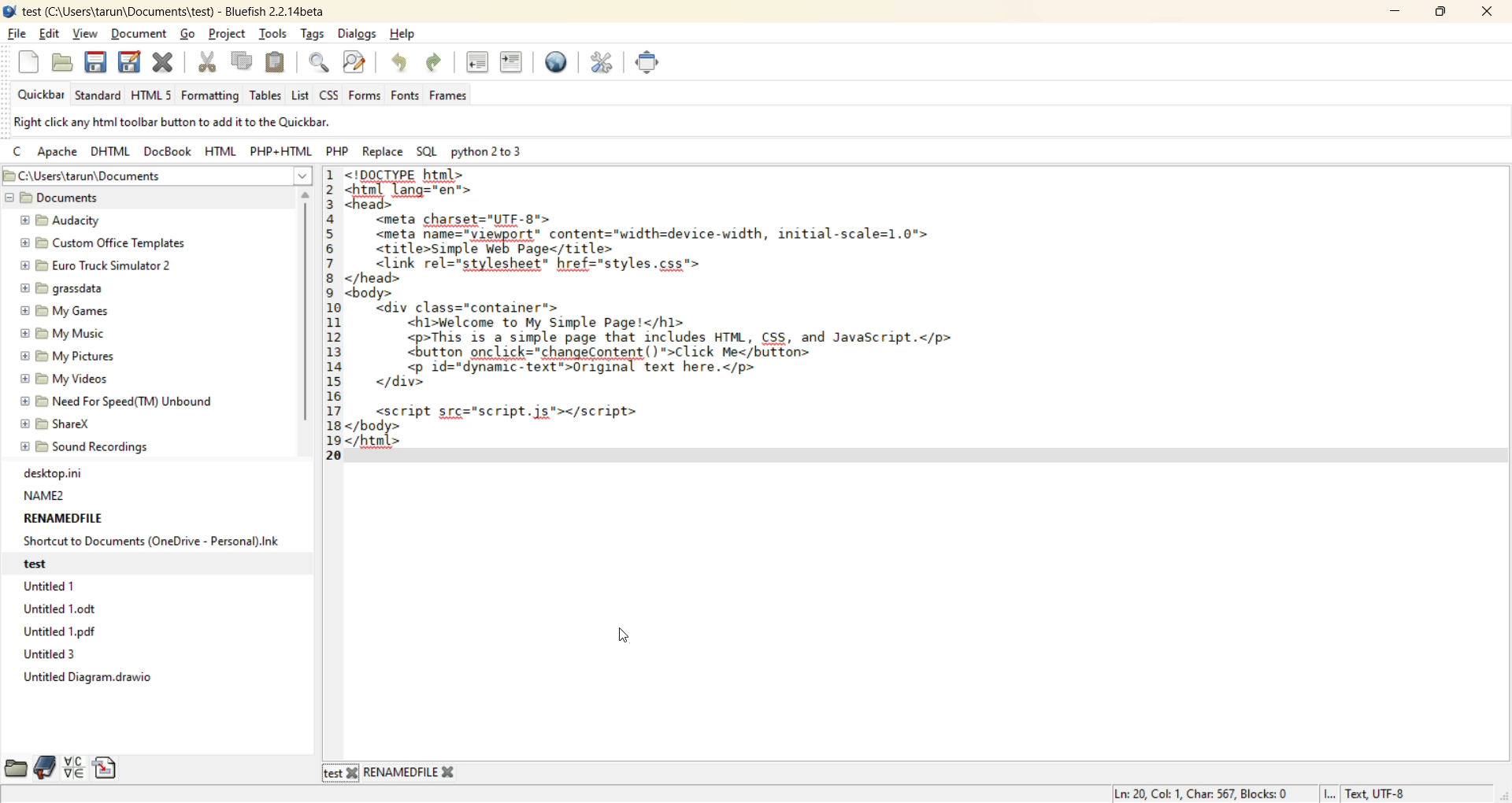  I want to click on ShareX, so click(63, 422).